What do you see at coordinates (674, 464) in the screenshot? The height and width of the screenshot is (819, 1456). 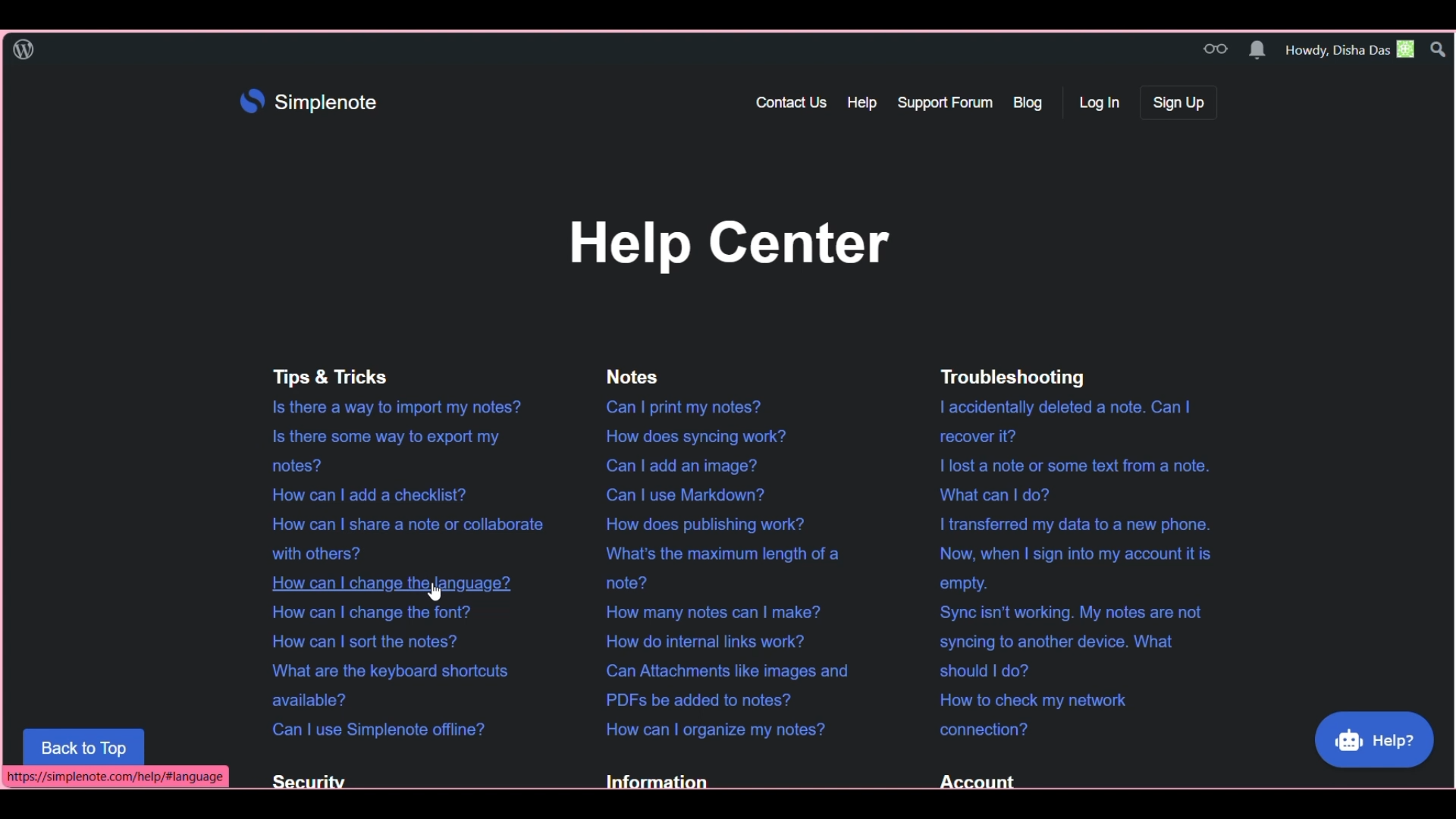 I see `Can | add an image?` at bounding box center [674, 464].